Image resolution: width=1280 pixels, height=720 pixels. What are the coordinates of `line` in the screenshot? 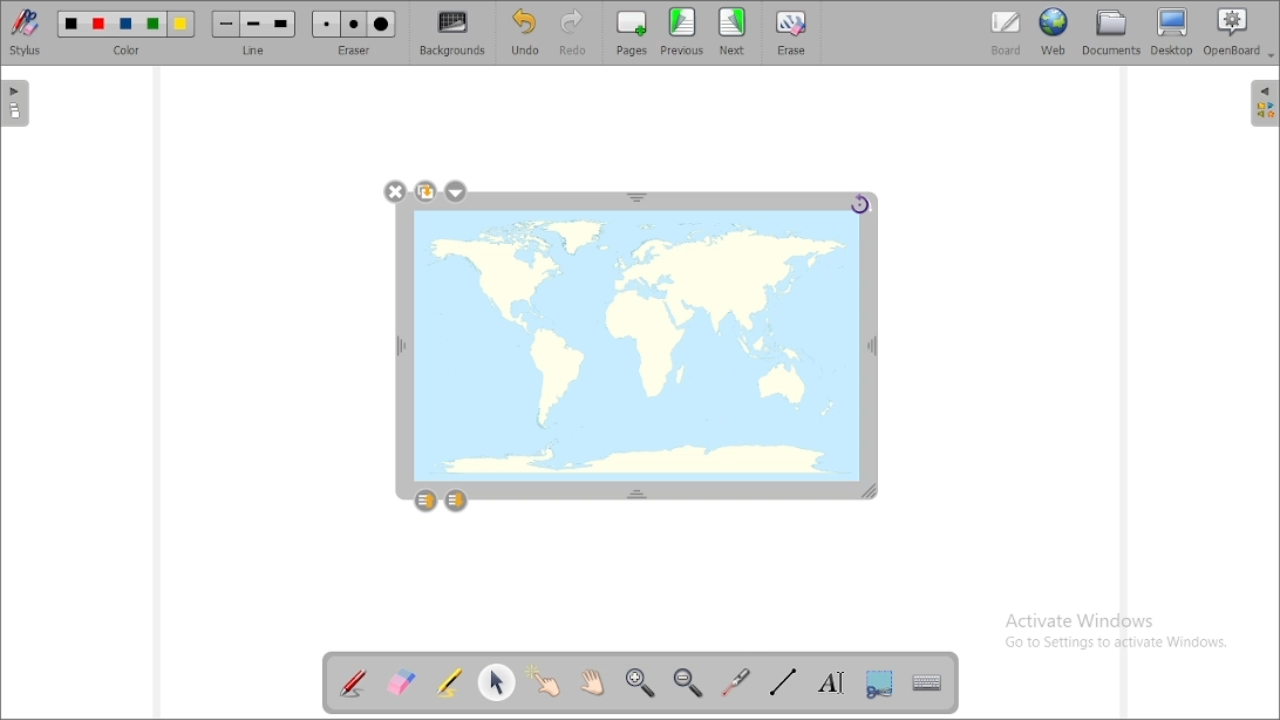 It's located at (254, 33).